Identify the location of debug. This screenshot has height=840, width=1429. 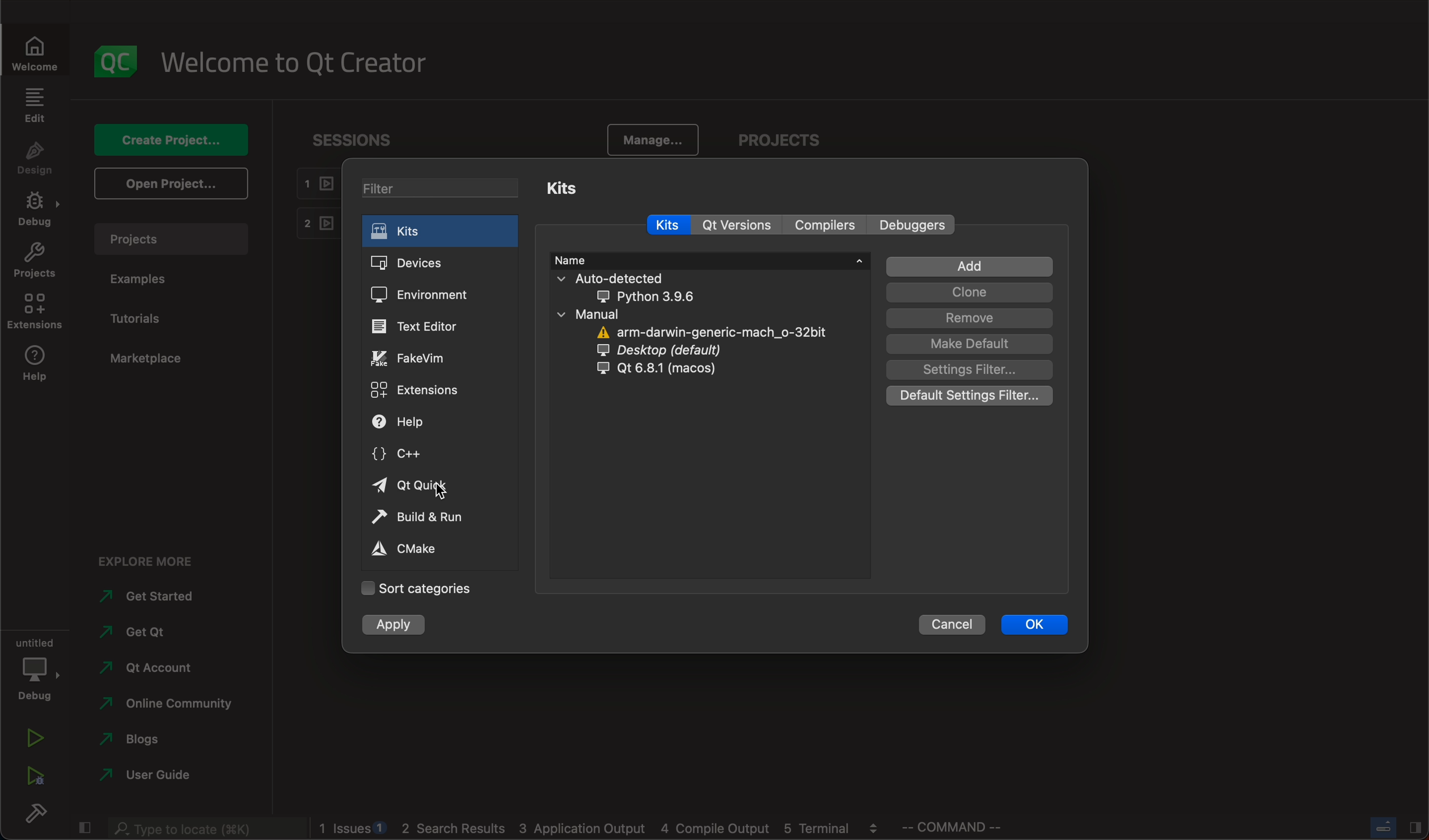
(36, 210).